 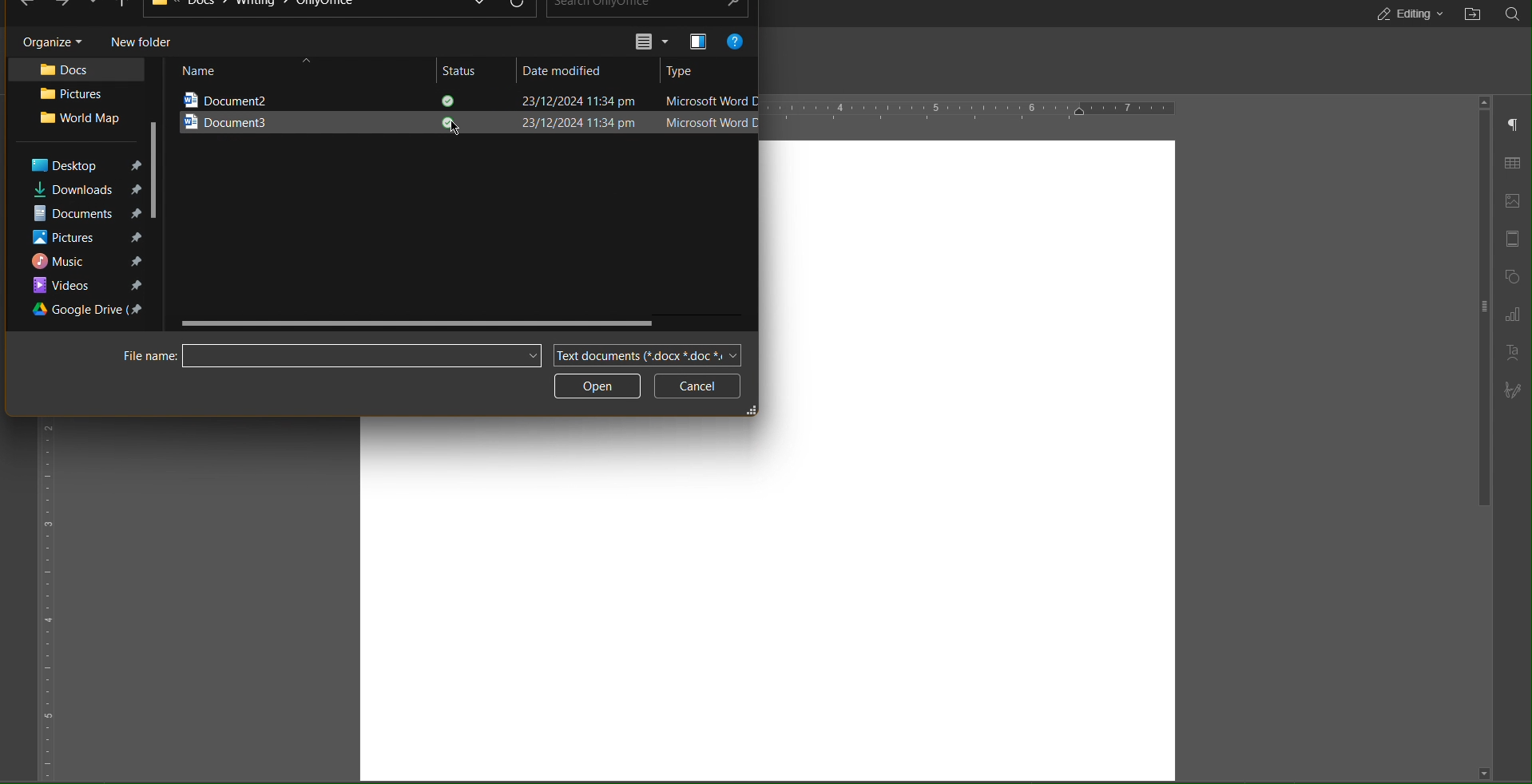 What do you see at coordinates (81, 120) in the screenshot?
I see `World Map` at bounding box center [81, 120].